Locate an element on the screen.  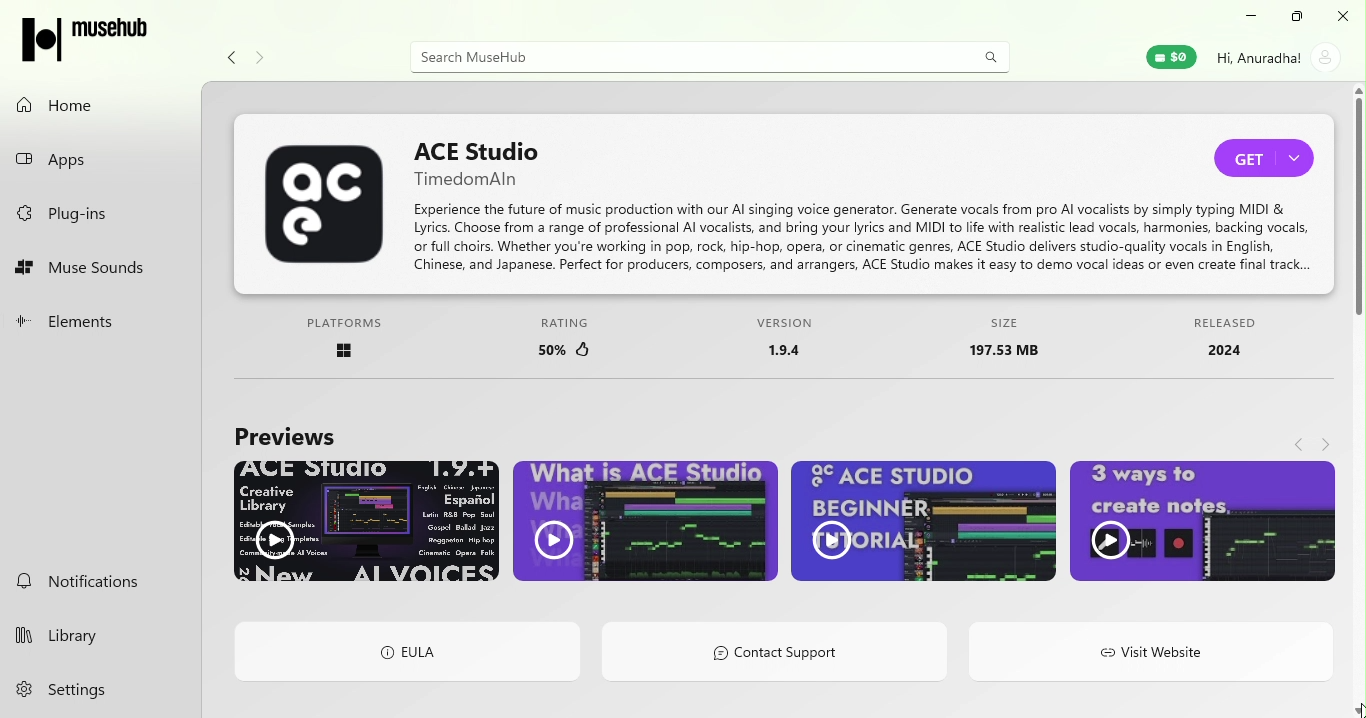
Video preview is located at coordinates (640, 522).